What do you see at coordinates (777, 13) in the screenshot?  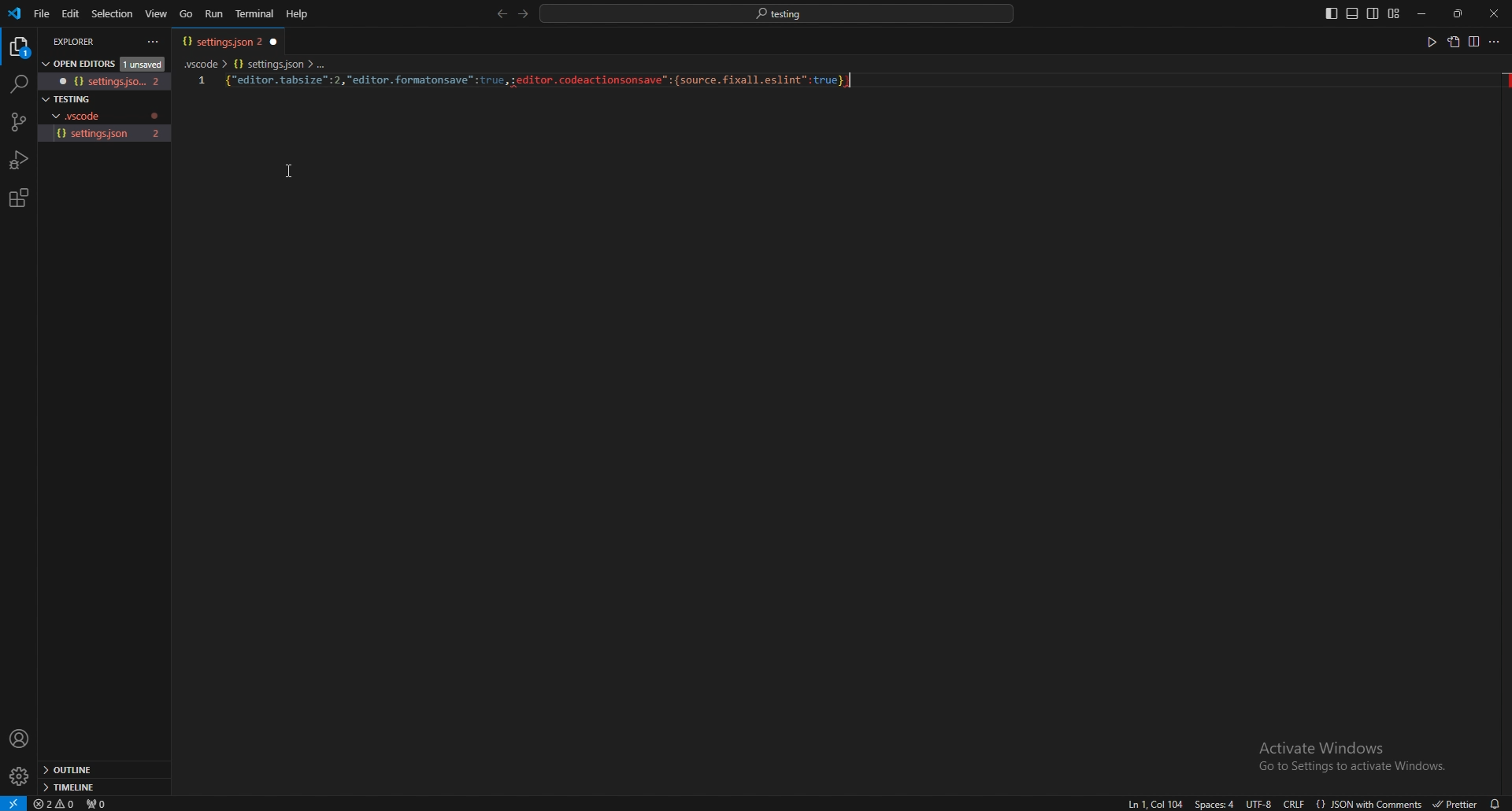 I see `search bar` at bounding box center [777, 13].